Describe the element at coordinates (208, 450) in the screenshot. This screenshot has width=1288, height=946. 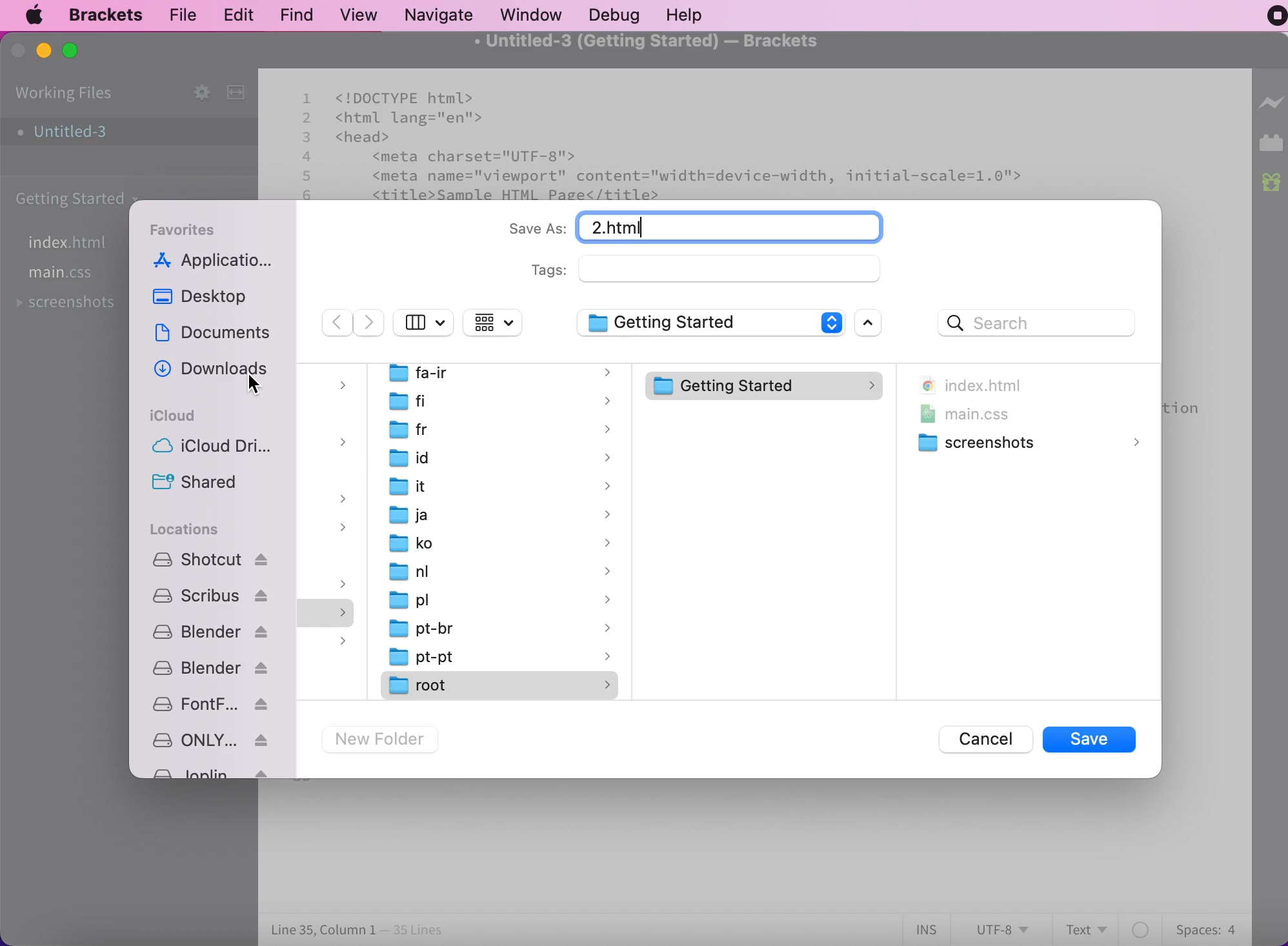
I see `icloud drive` at that location.